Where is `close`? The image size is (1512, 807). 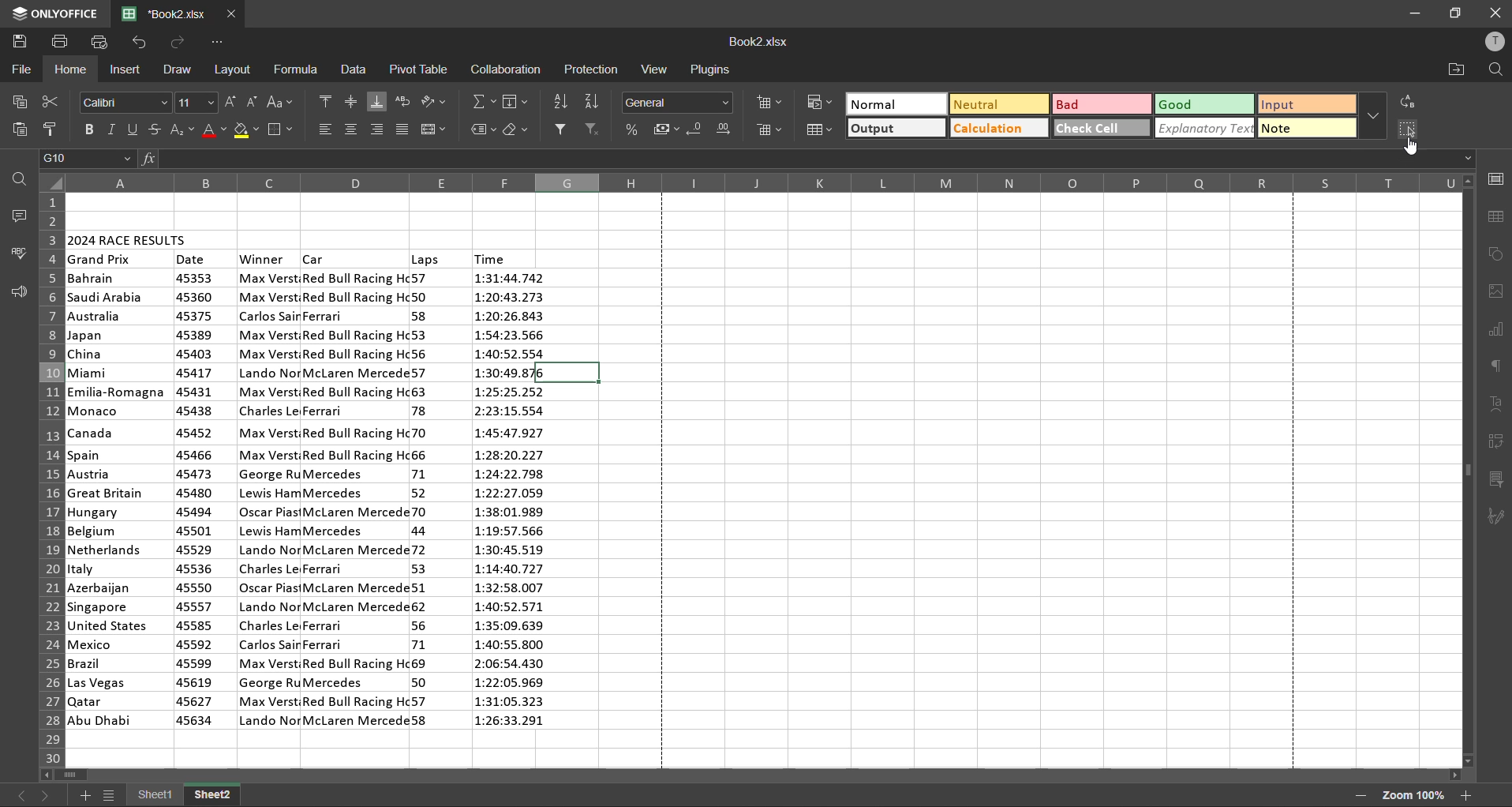
close is located at coordinates (1495, 13).